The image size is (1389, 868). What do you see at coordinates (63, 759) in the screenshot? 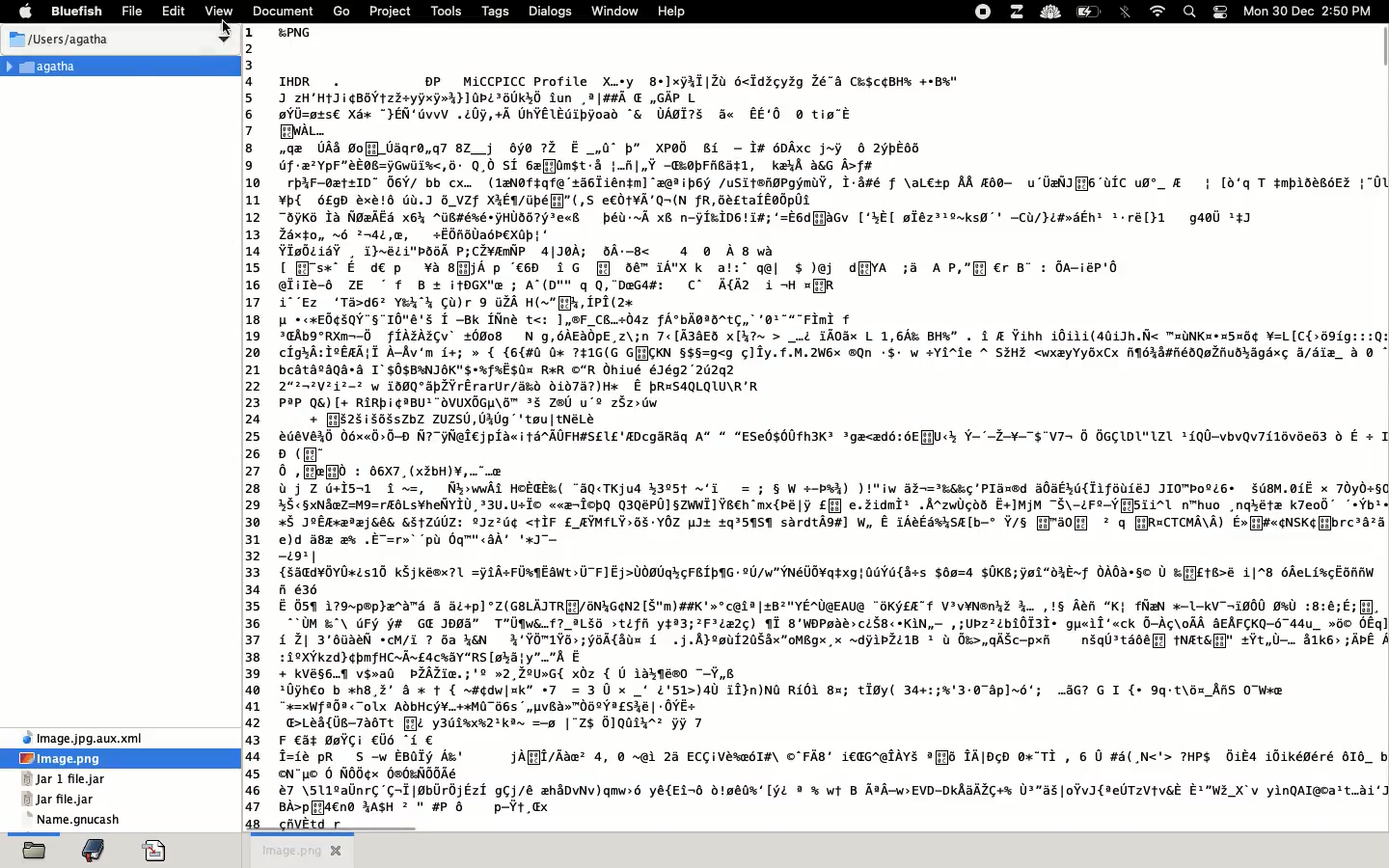
I see `image.png` at bounding box center [63, 759].